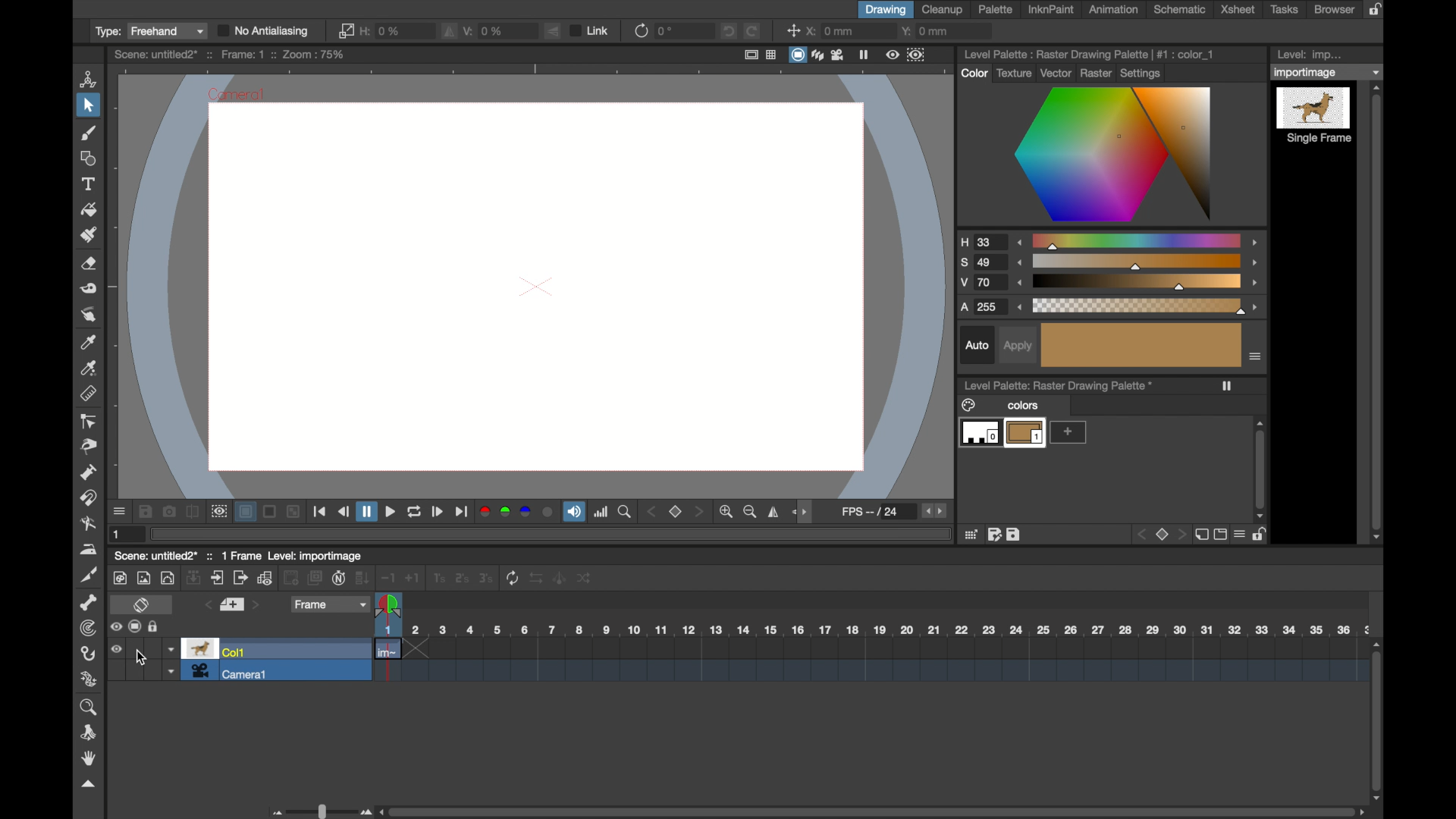 The height and width of the screenshot is (819, 1456). What do you see at coordinates (88, 549) in the screenshot?
I see `iron tool` at bounding box center [88, 549].